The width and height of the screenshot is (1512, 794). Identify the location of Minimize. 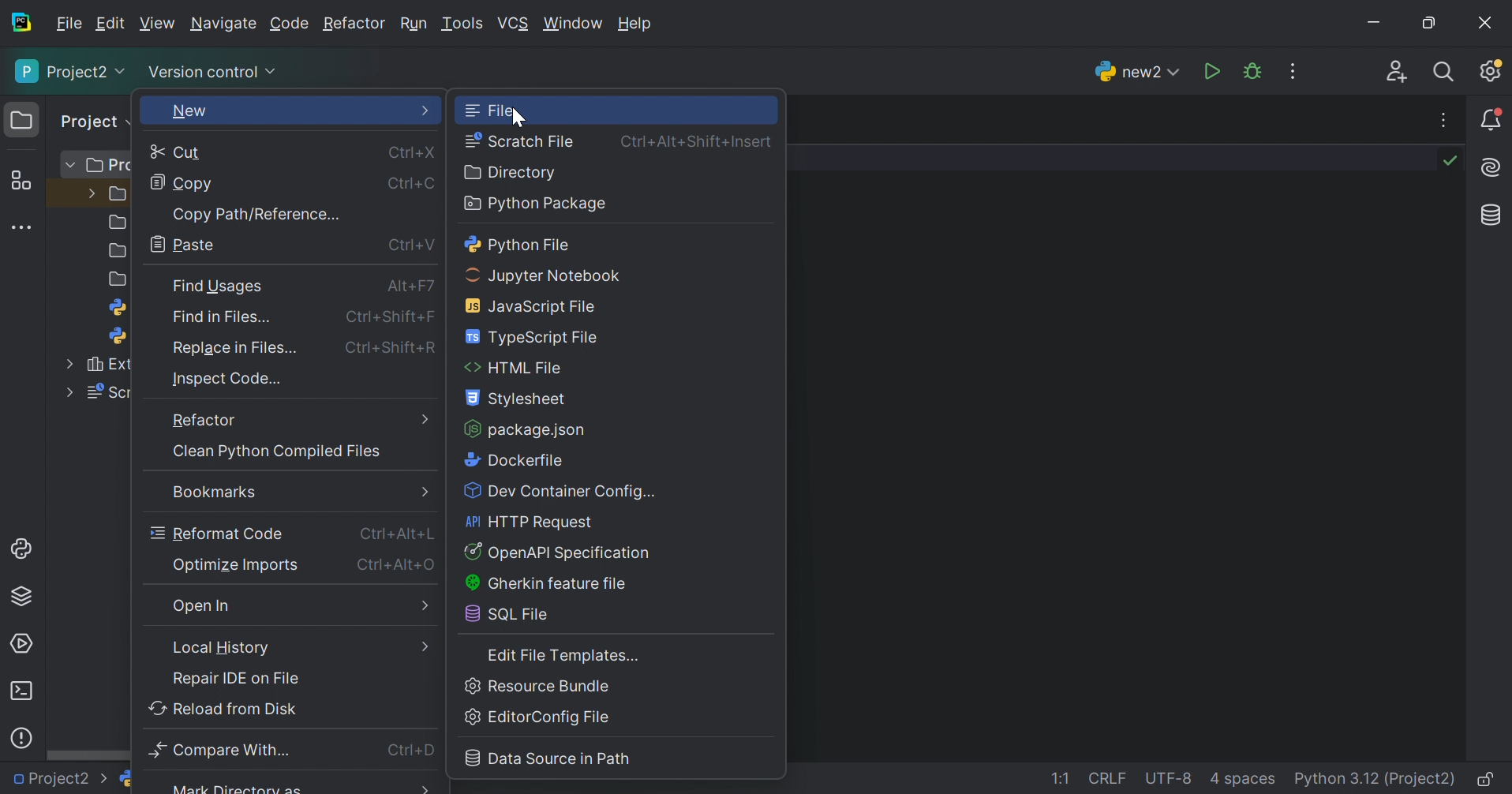
(1372, 23).